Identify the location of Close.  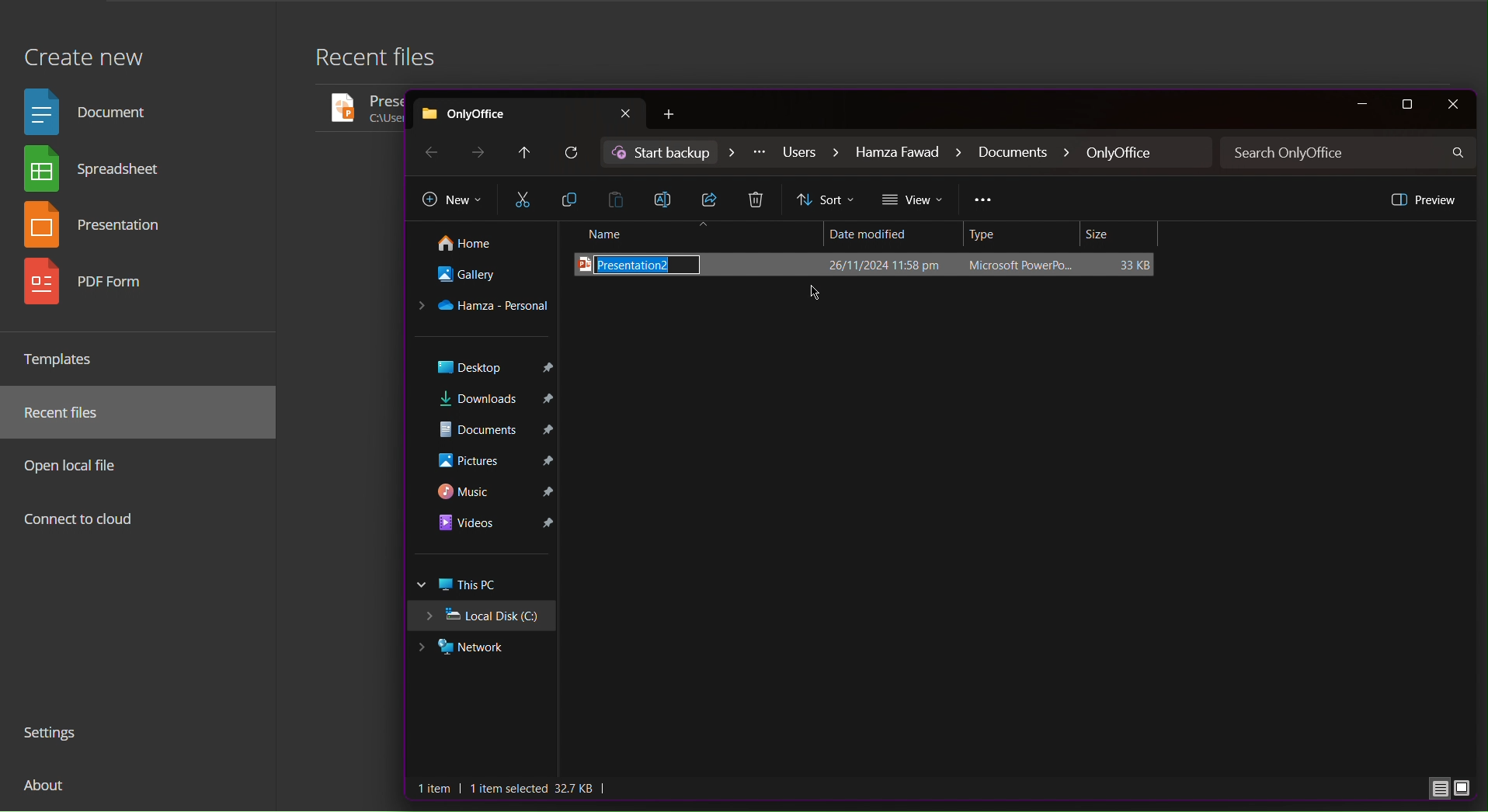
(1452, 105).